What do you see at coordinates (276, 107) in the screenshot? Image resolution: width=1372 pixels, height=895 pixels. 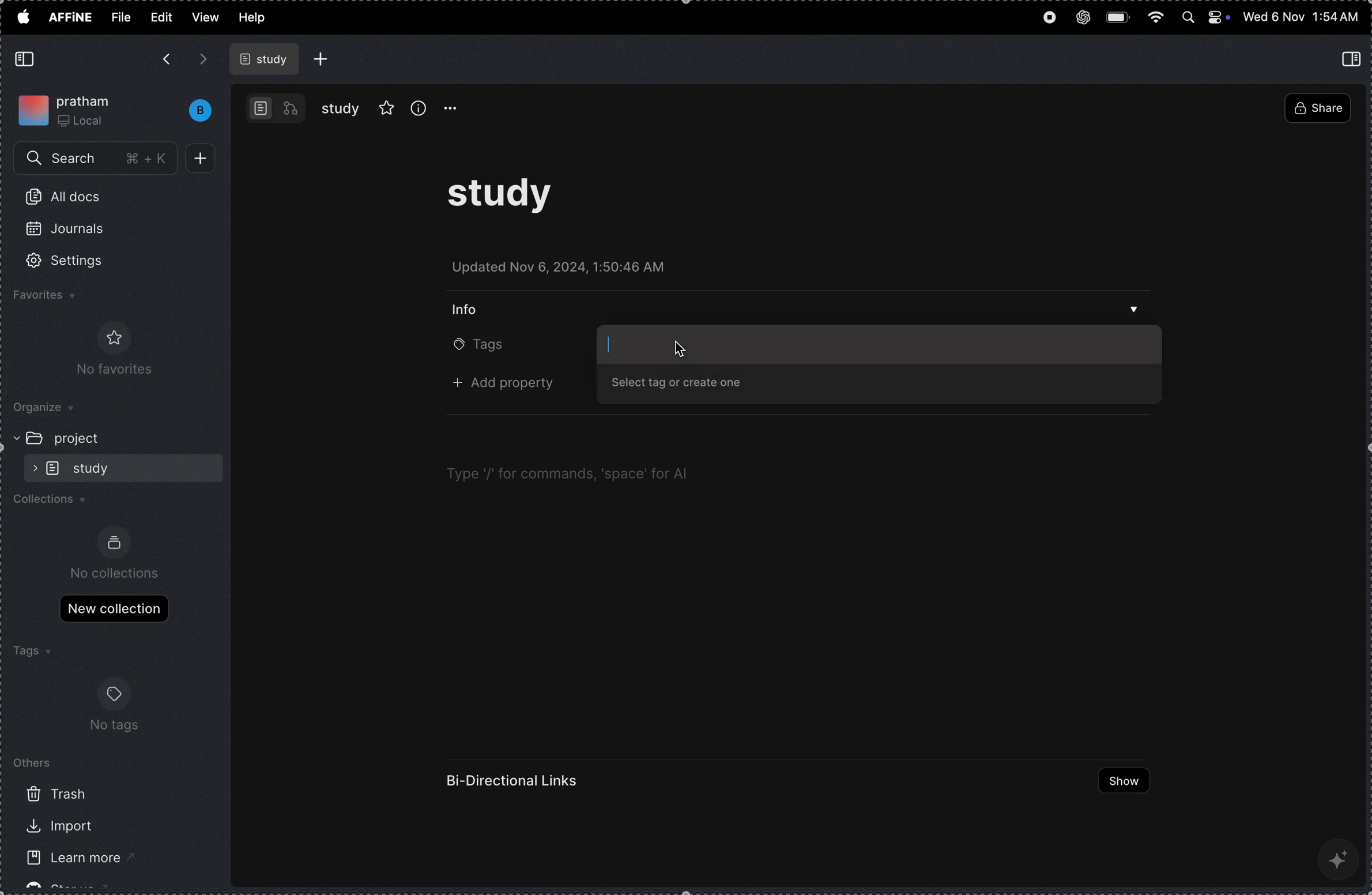 I see `work bench` at bounding box center [276, 107].